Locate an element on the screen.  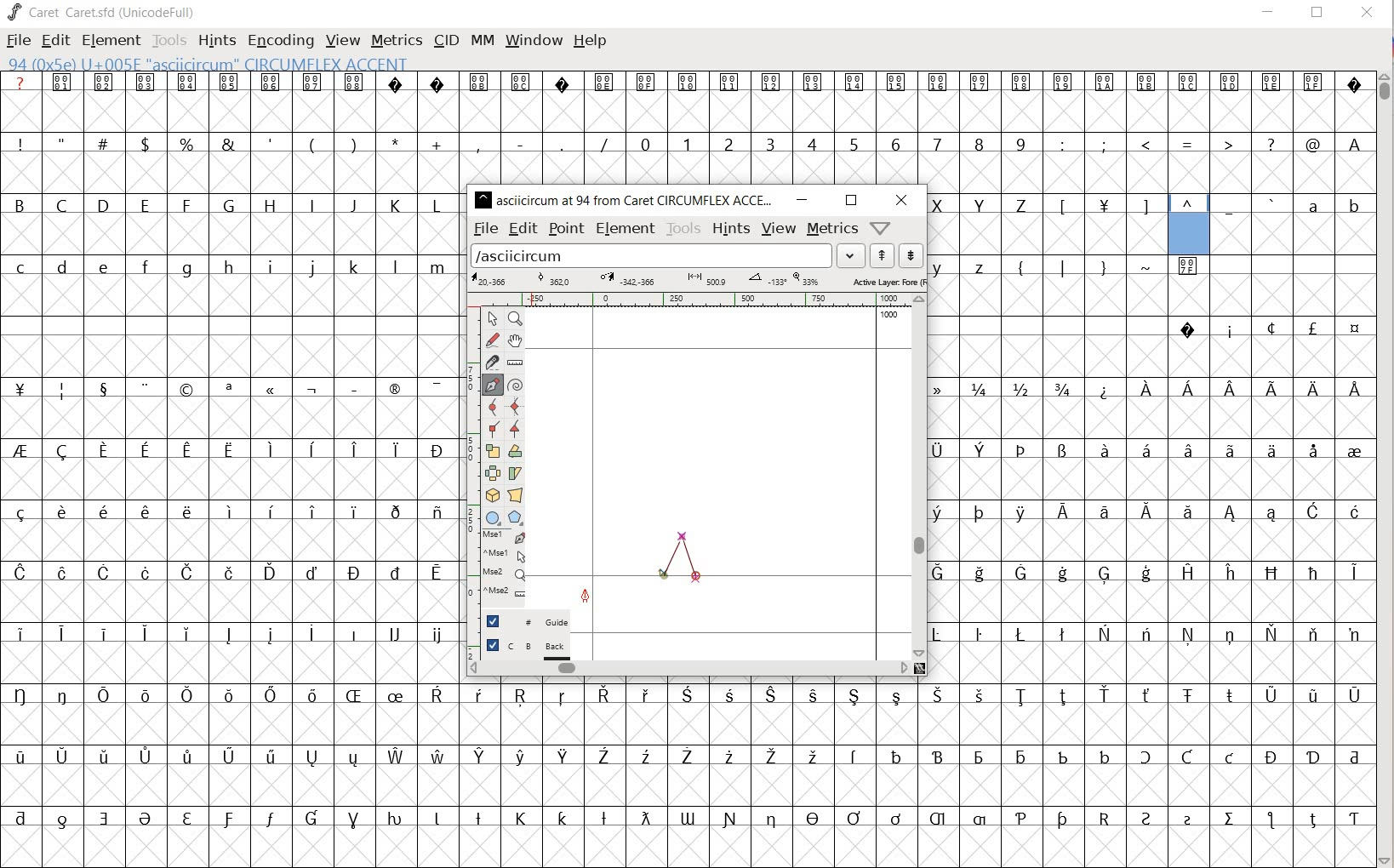
scrollbar is located at coordinates (687, 667).